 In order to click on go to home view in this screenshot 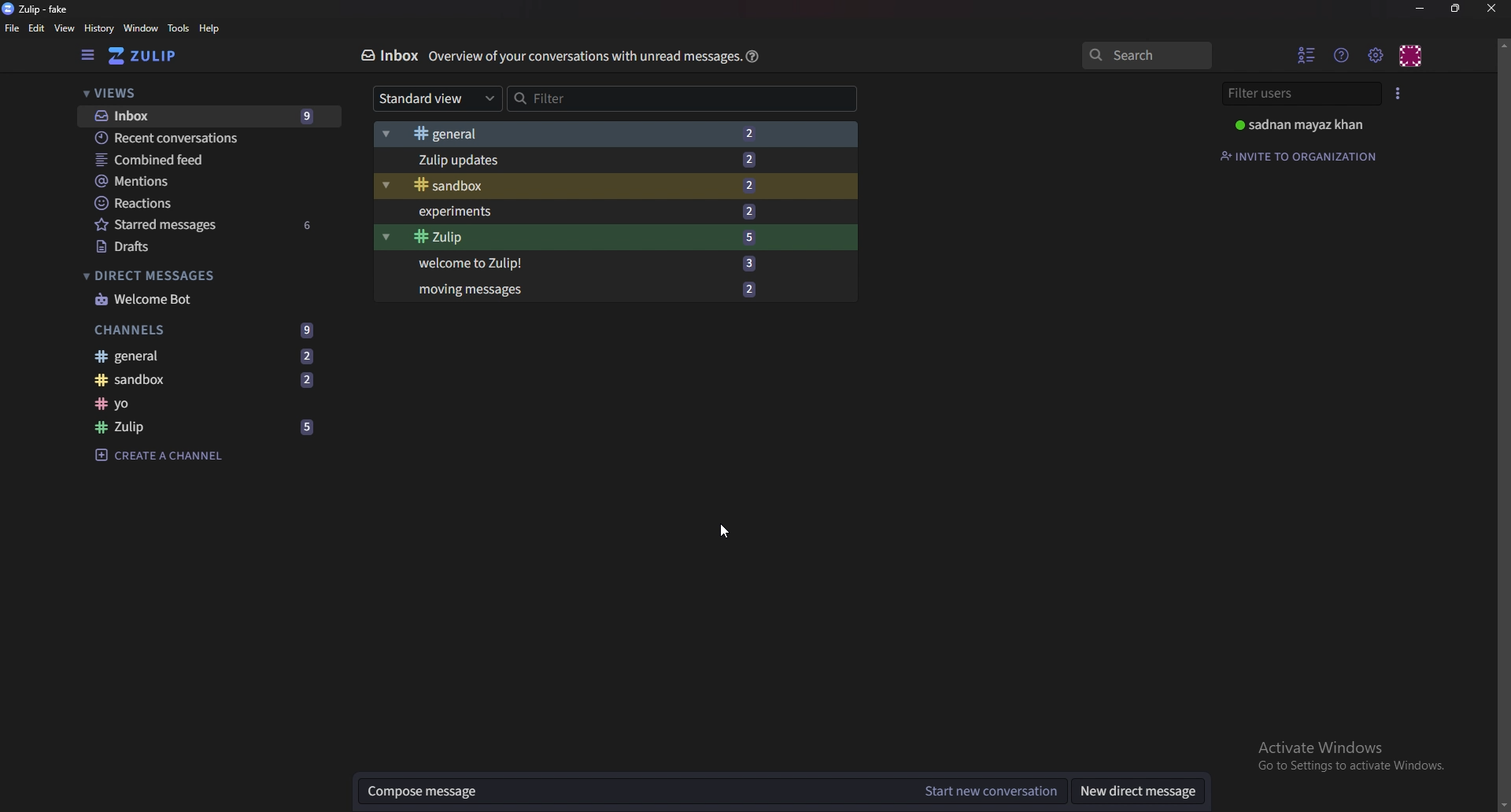, I will do `click(153, 56)`.